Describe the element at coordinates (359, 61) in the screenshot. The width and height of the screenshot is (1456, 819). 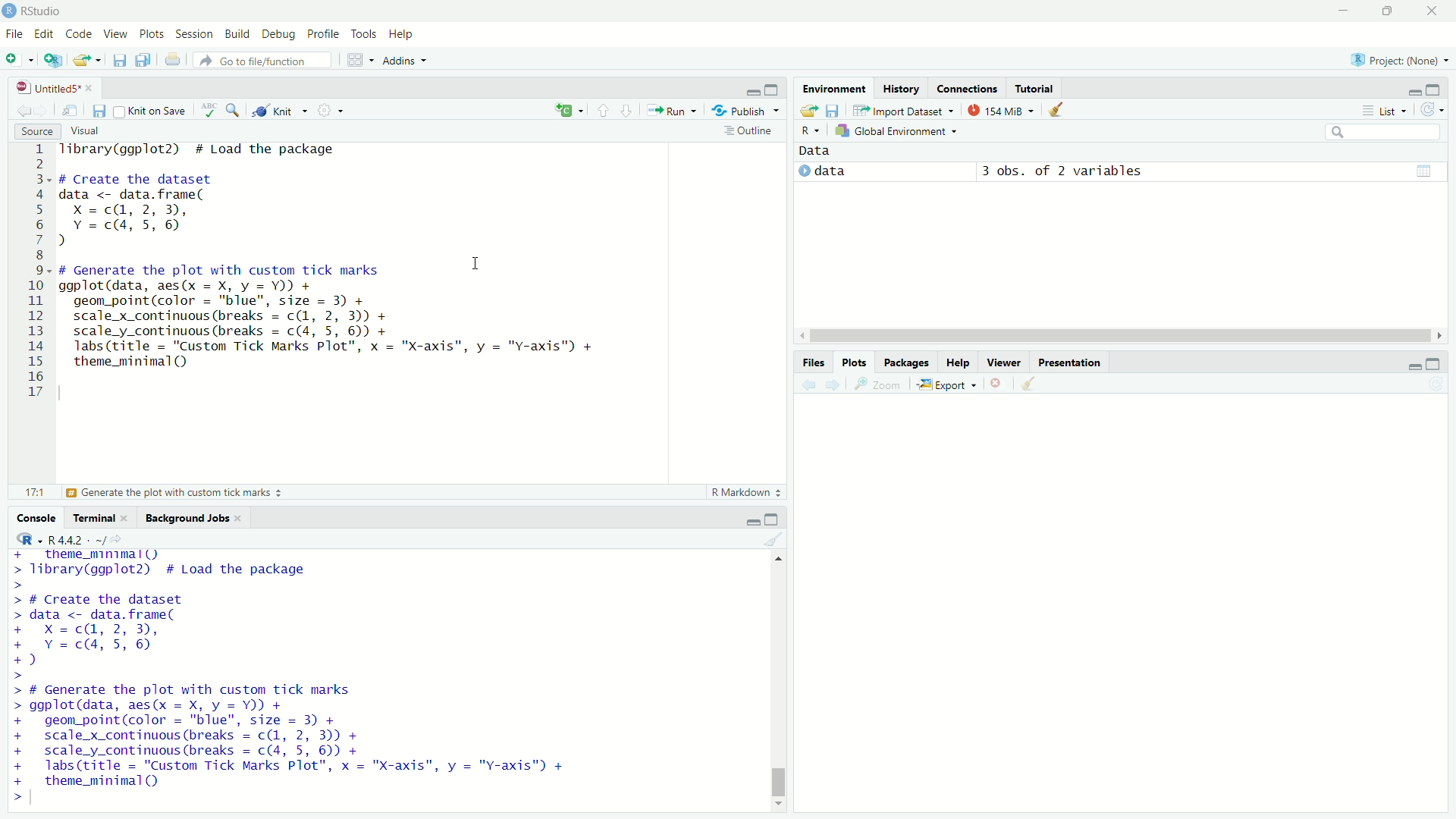
I see `workspace panes` at that location.